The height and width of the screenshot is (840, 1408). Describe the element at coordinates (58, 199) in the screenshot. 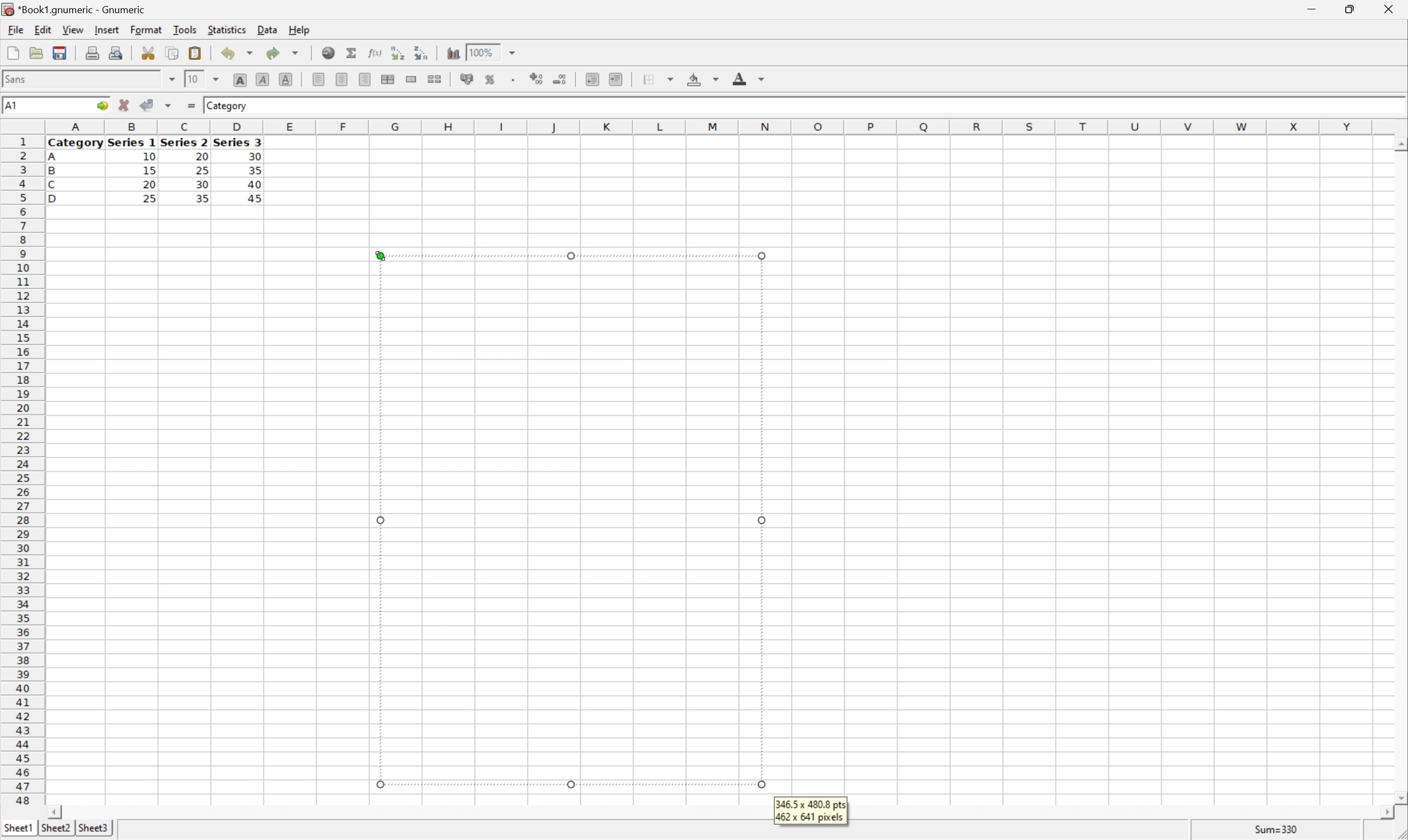

I see `D` at that location.